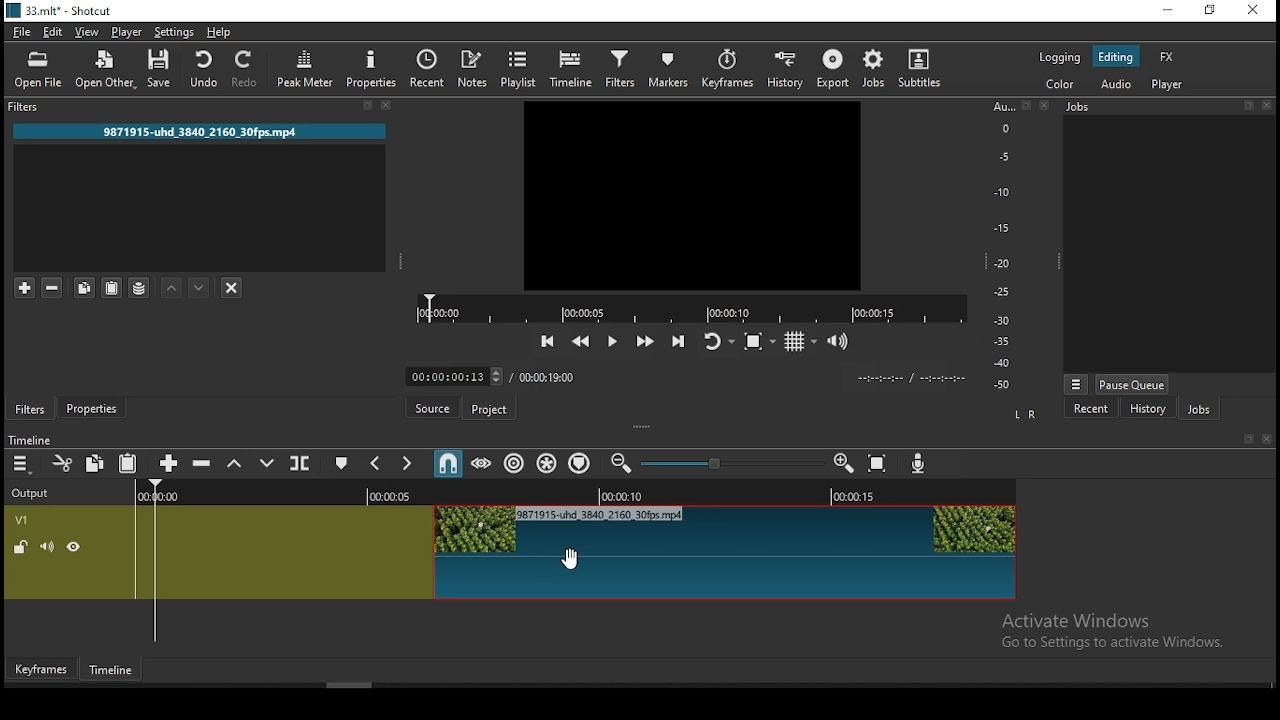  I want to click on redo, so click(247, 72).